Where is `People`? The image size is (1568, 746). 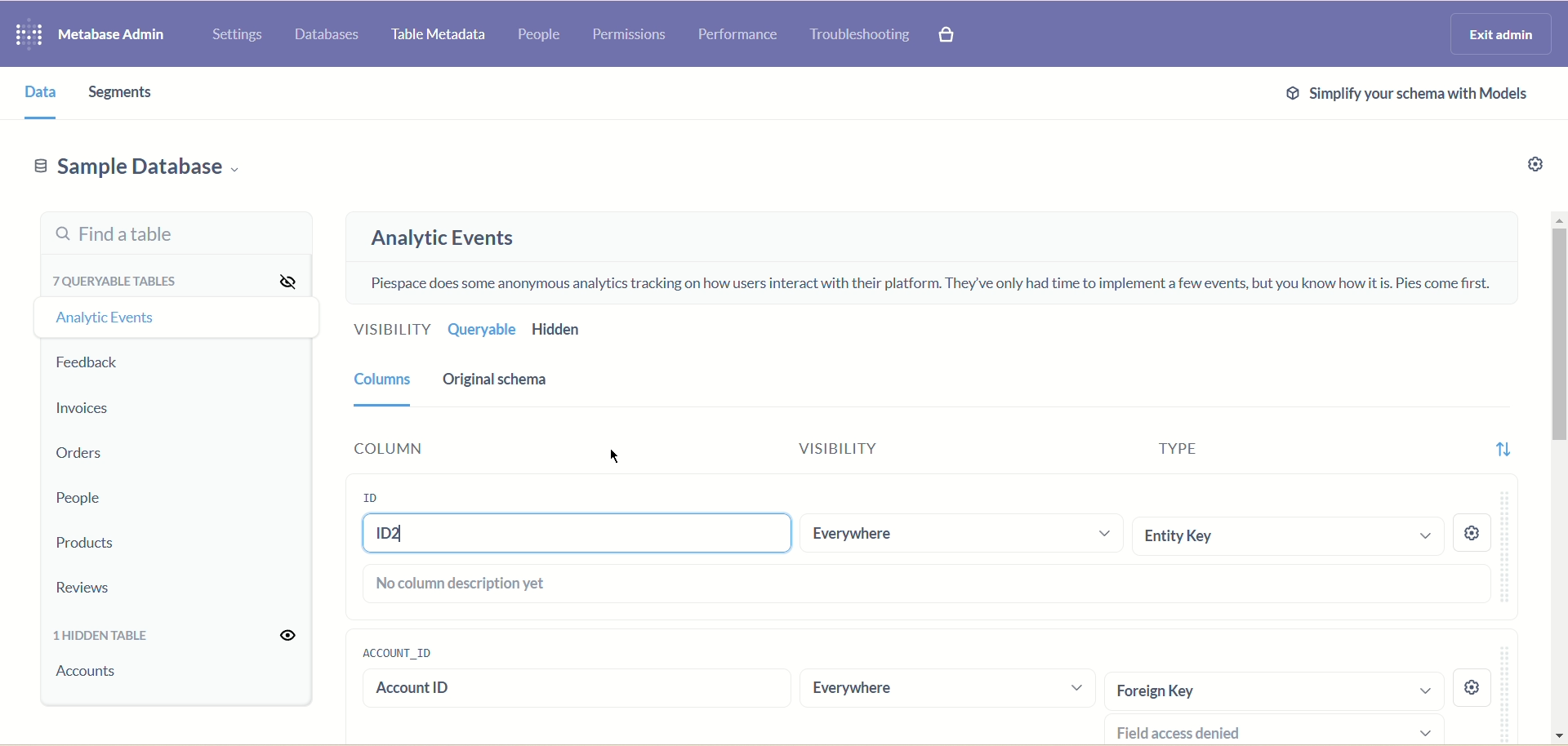 People is located at coordinates (540, 31).